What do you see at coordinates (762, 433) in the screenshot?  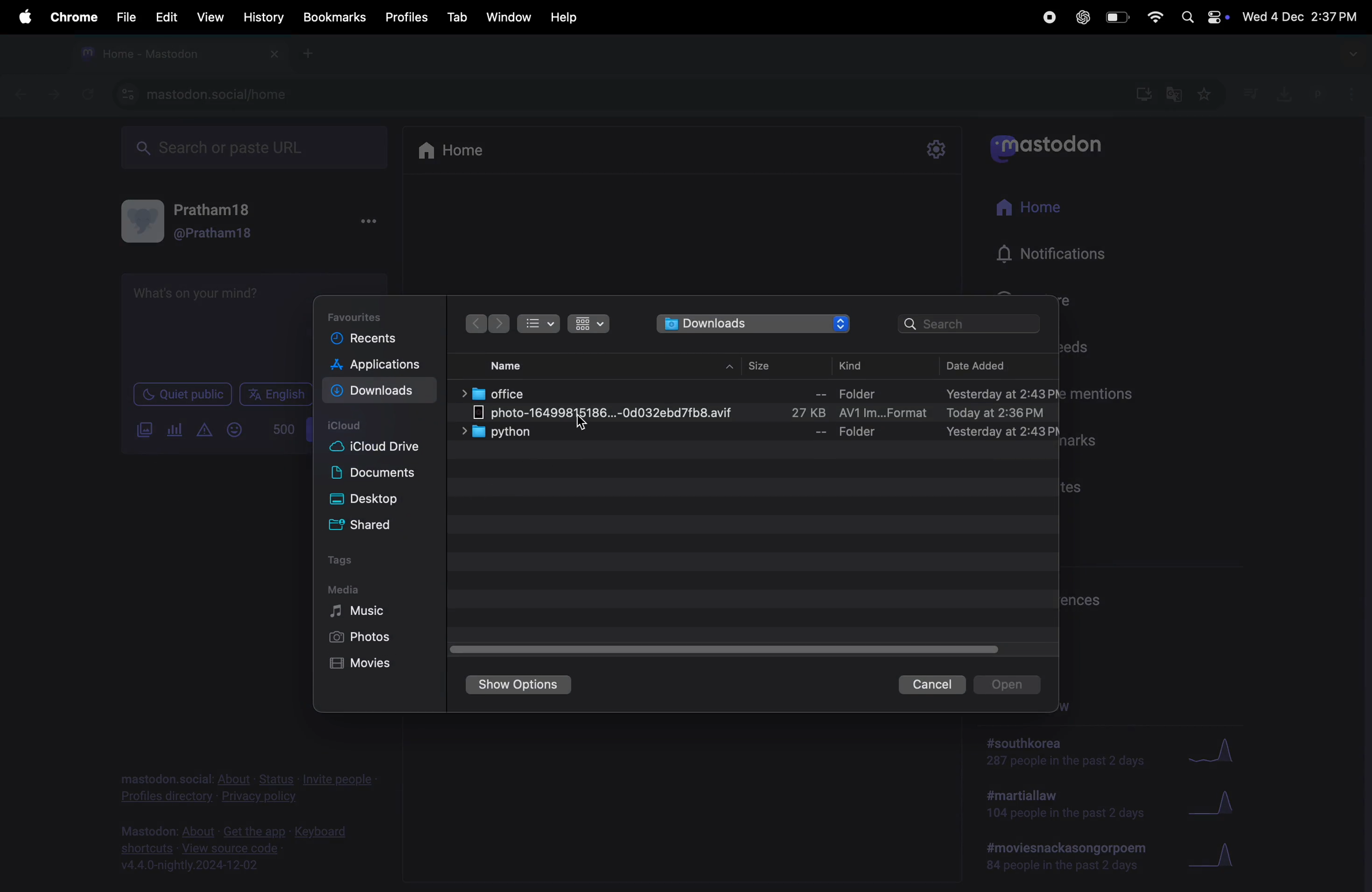 I see `python file` at bounding box center [762, 433].